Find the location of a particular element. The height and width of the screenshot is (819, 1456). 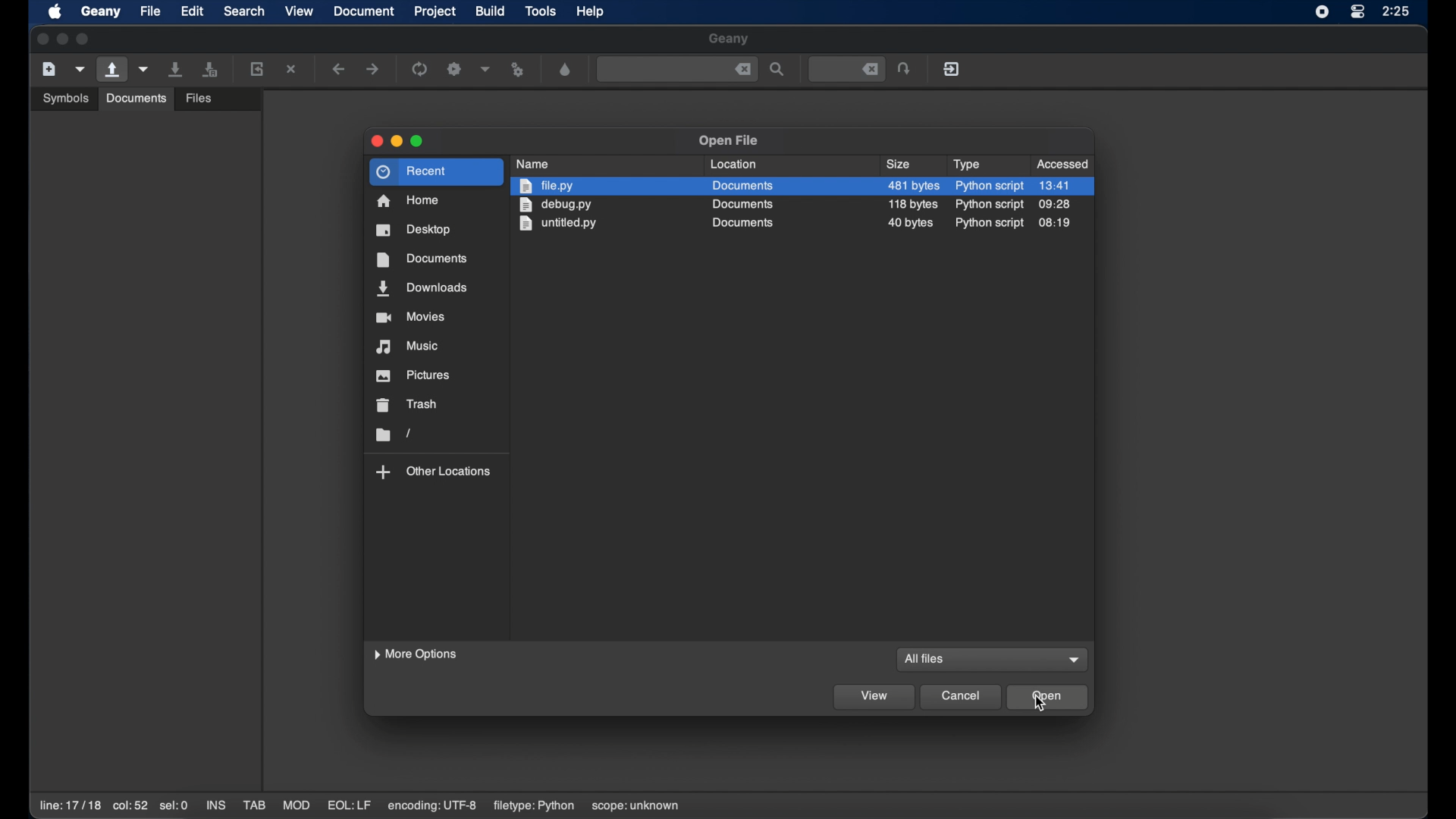

ins is located at coordinates (217, 805).